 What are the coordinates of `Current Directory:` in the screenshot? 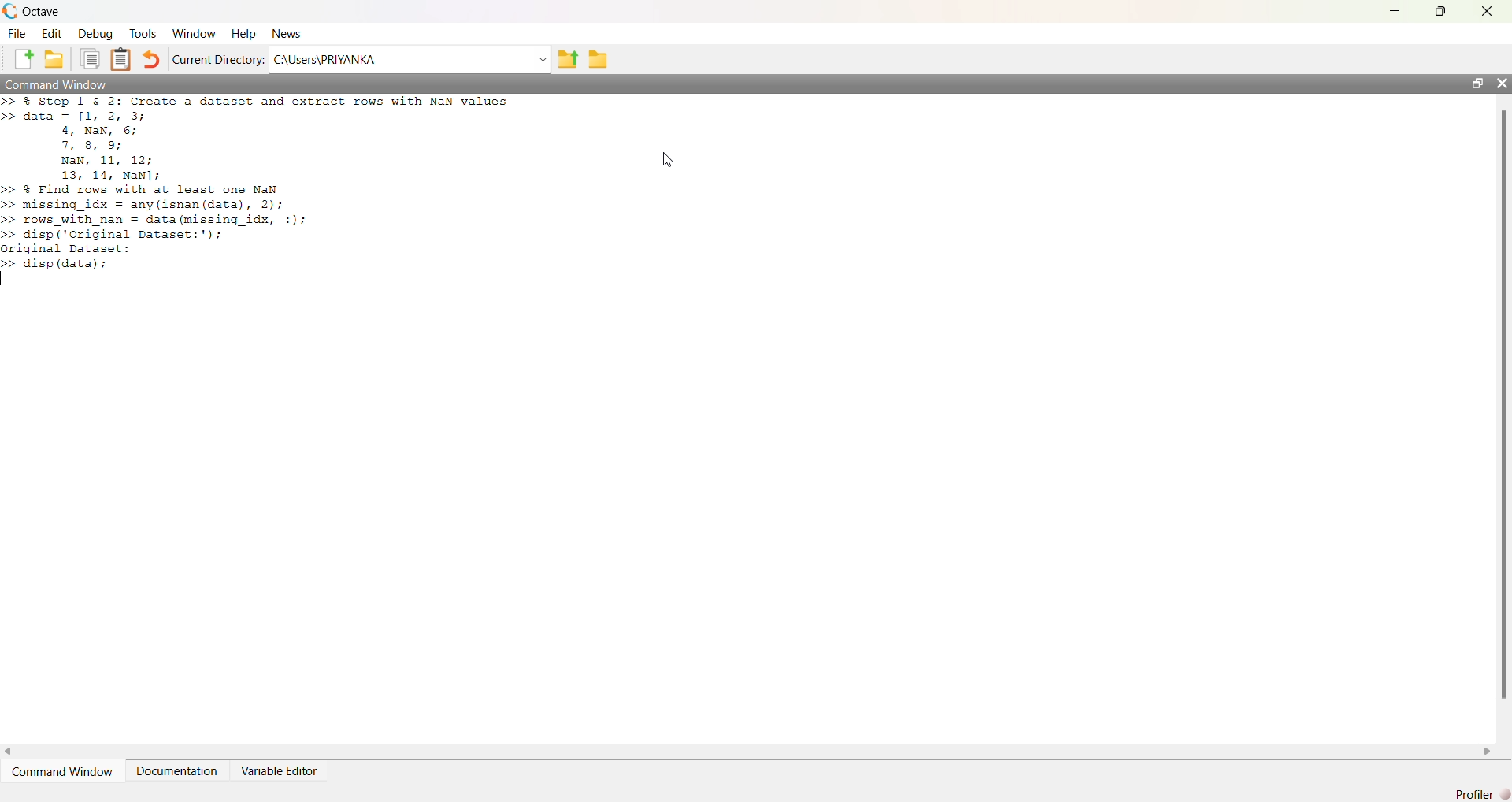 It's located at (219, 59).